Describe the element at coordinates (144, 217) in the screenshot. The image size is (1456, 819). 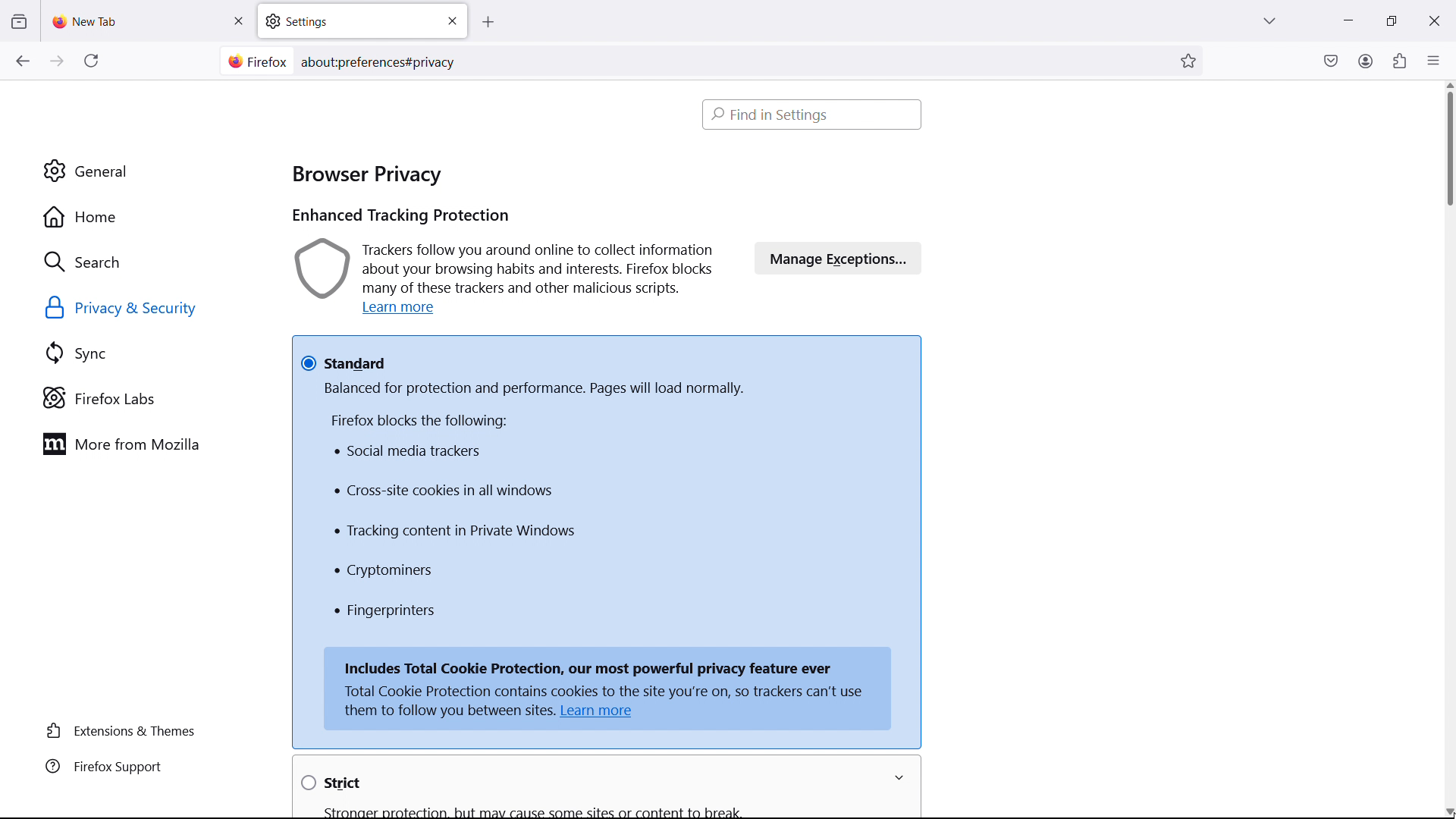
I see `home` at that location.